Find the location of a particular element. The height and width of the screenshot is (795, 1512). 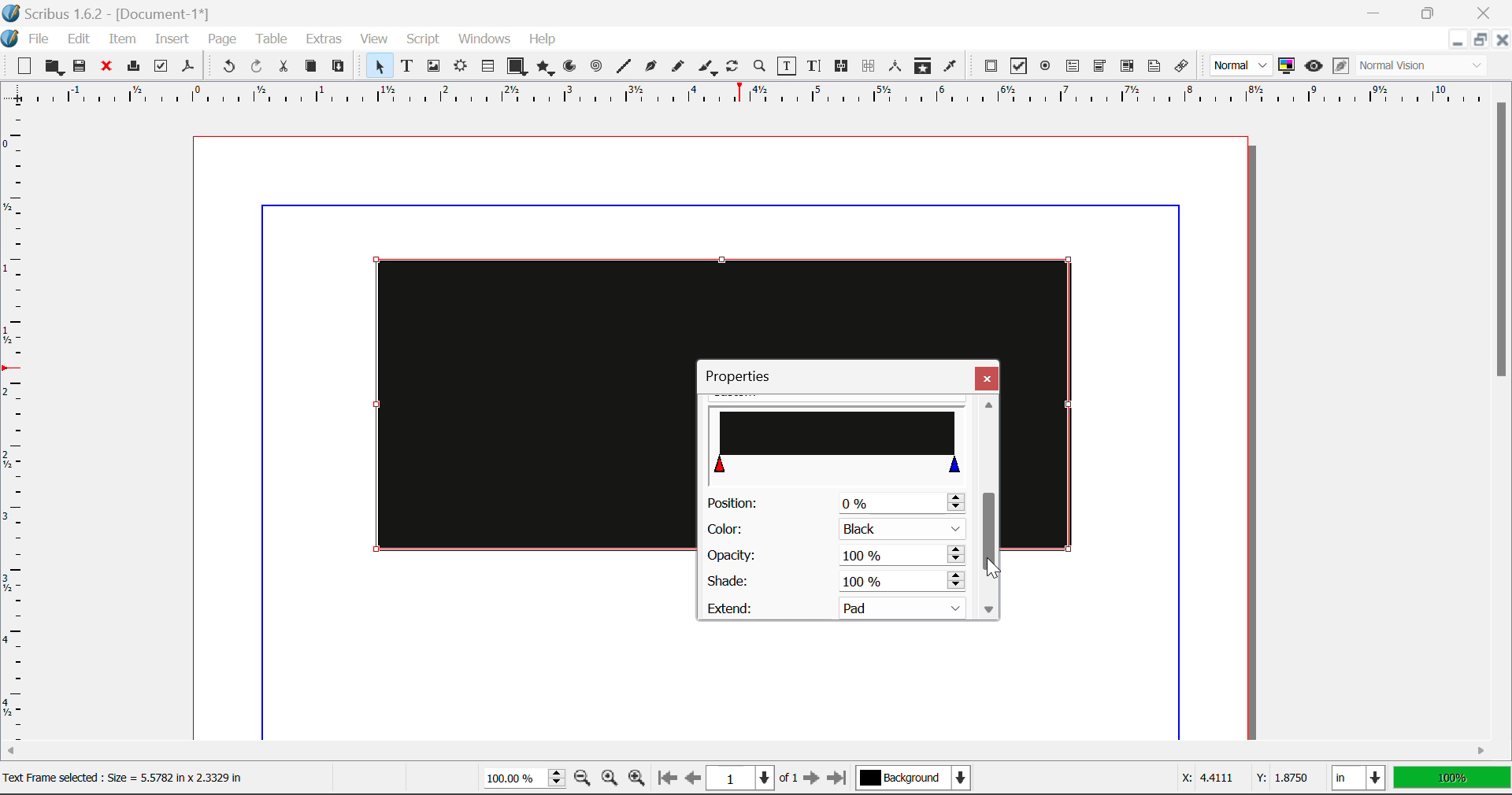

Rotate is located at coordinates (733, 66).